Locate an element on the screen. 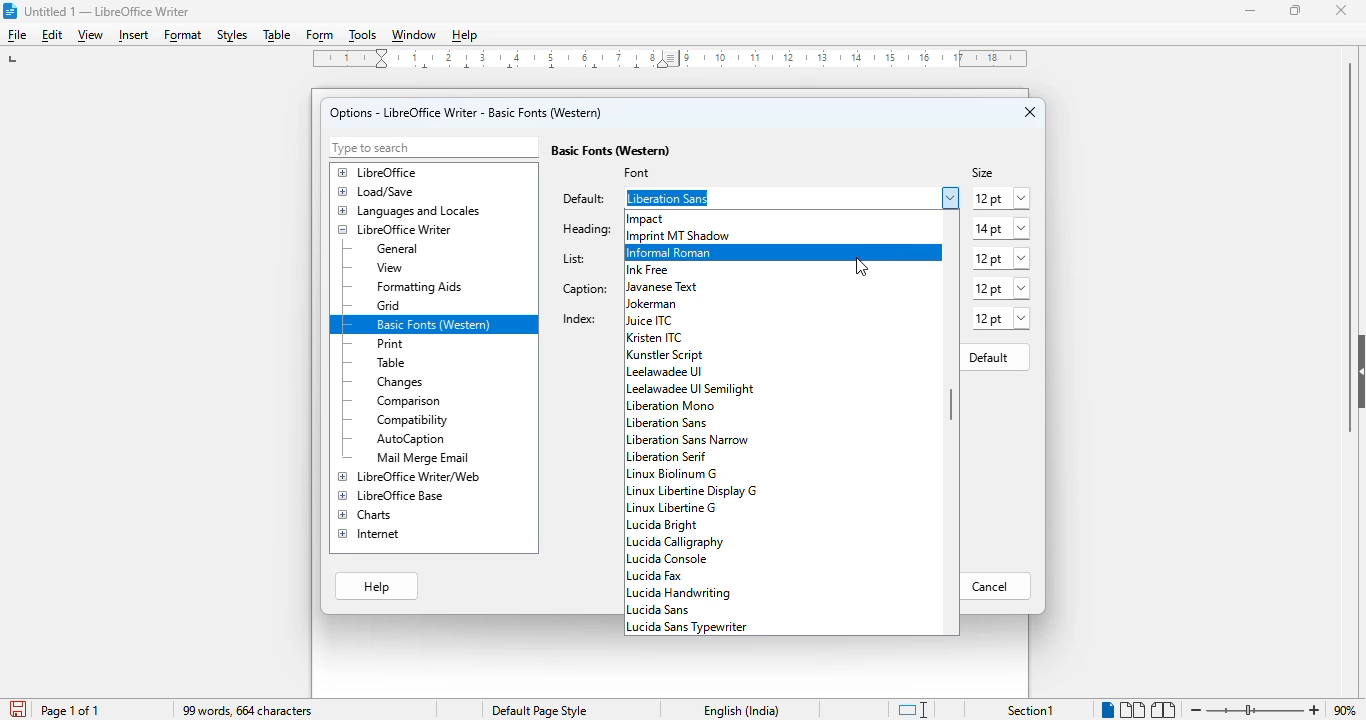  libreOffice is located at coordinates (378, 172).